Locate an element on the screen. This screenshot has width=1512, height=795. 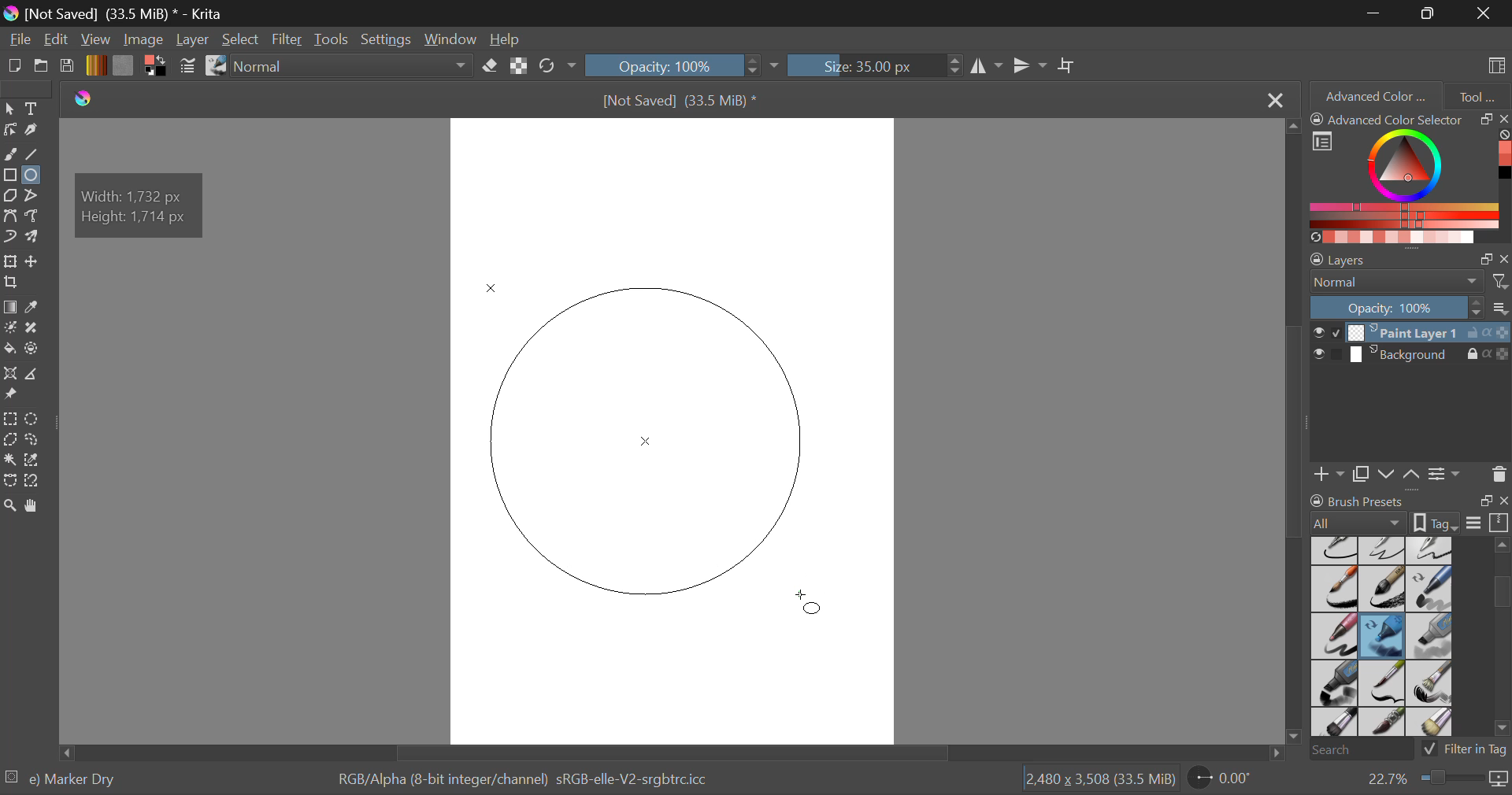
Eyedropper is located at coordinates (36, 308).